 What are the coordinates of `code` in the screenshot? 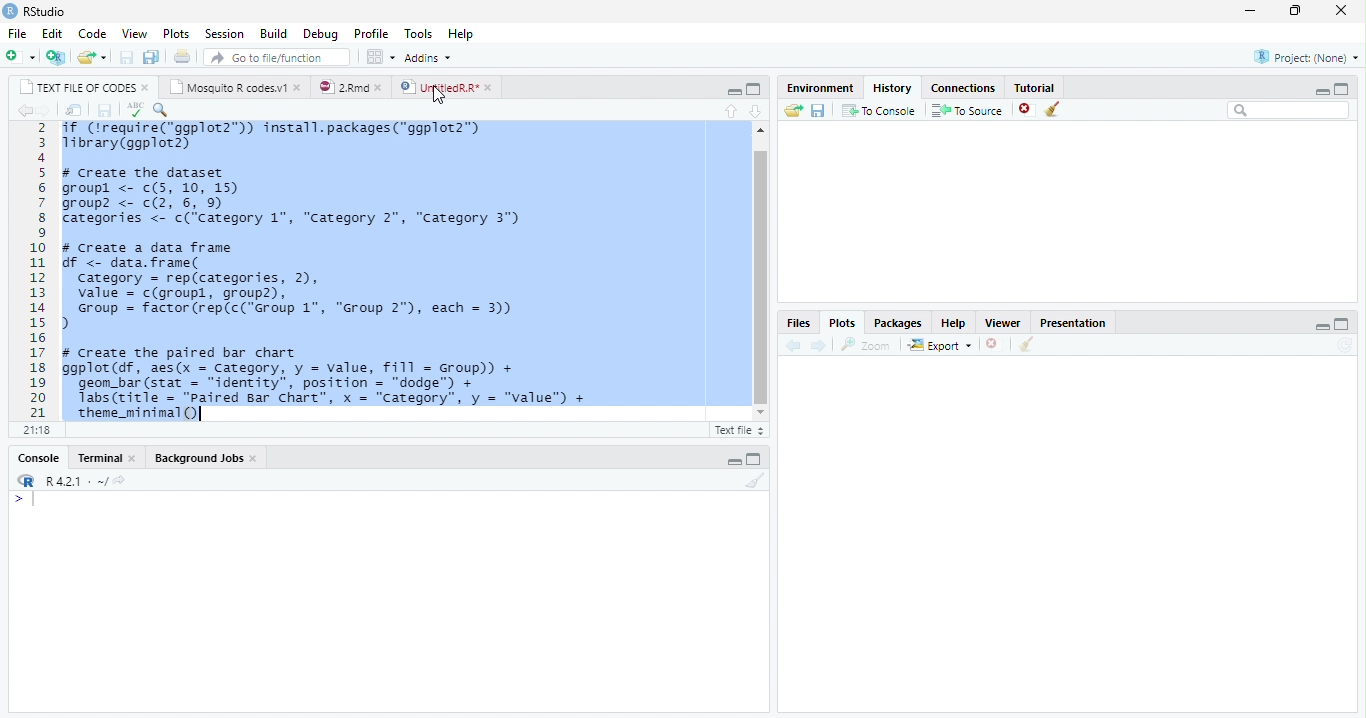 It's located at (89, 32).